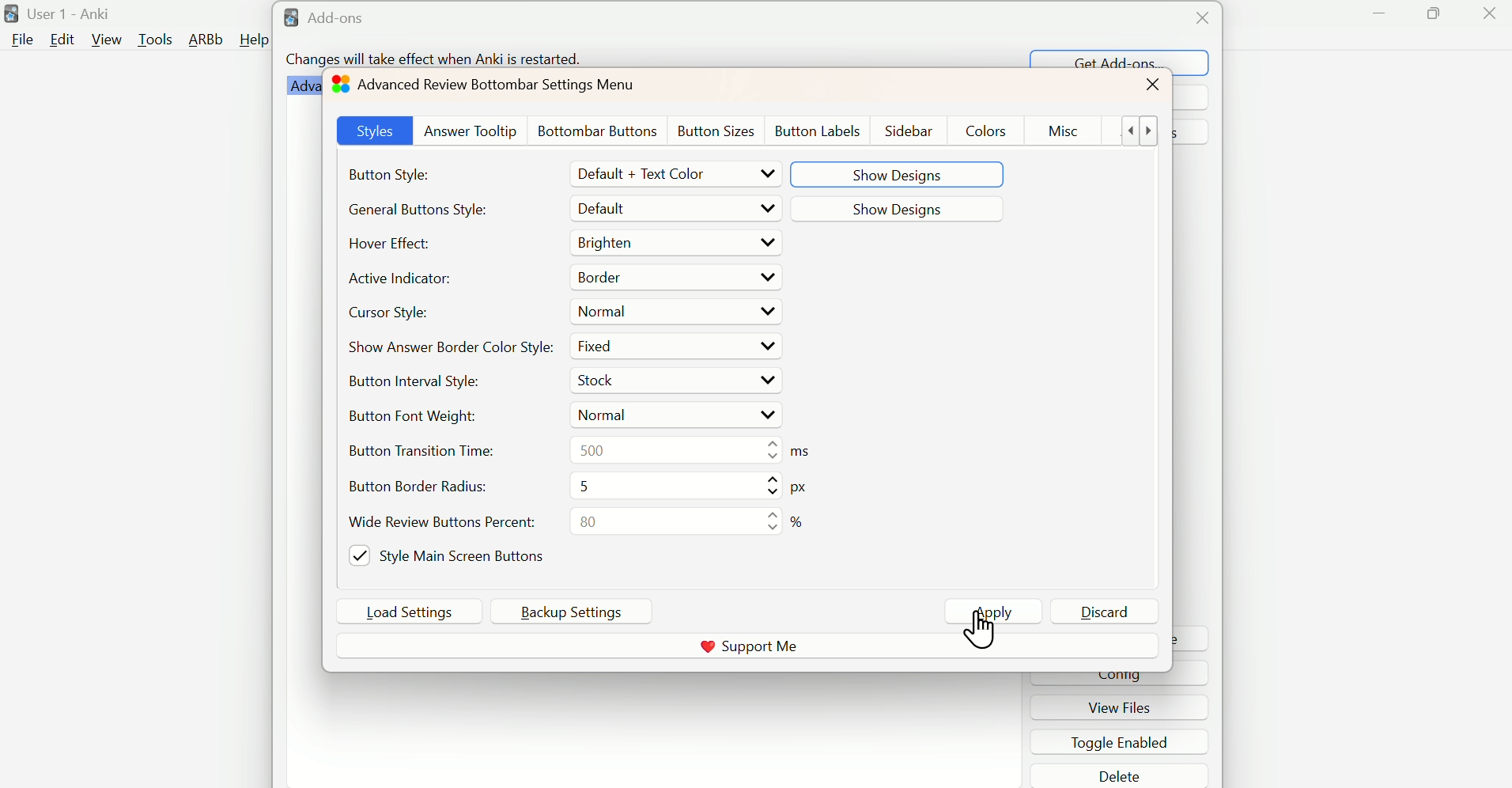  What do you see at coordinates (435, 58) in the screenshot?
I see `Changes will take effect when Anki is restarted.` at bounding box center [435, 58].